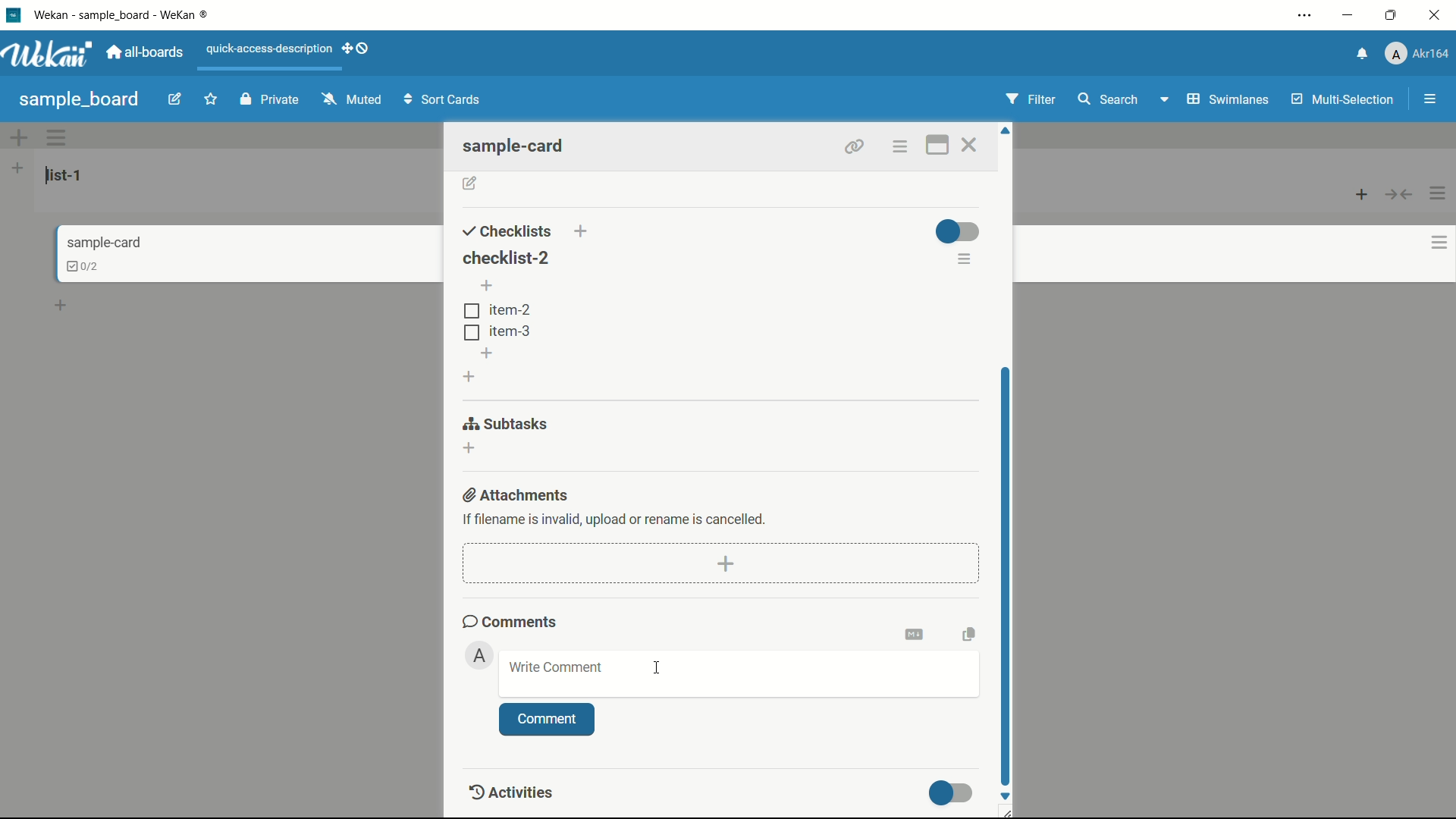  What do you see at coordinates (1005, 585) in the screenshot?
I see `cursor` at bounding box center [1005, 585].